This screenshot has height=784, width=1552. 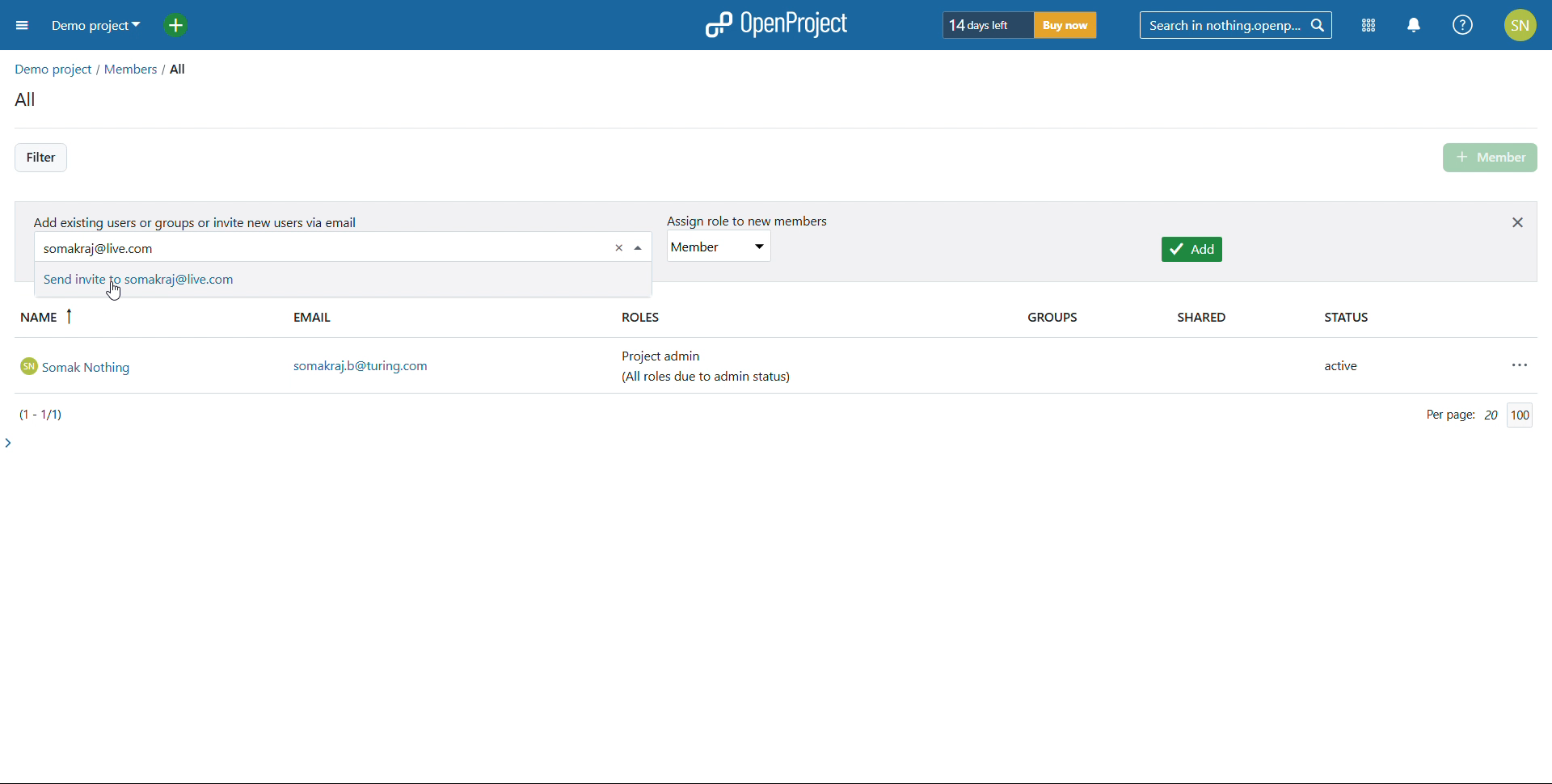 What do you see at coordinates (46, 414) in the screenshot?
I see `(1-1/1)` at bounding box center [46, 414].